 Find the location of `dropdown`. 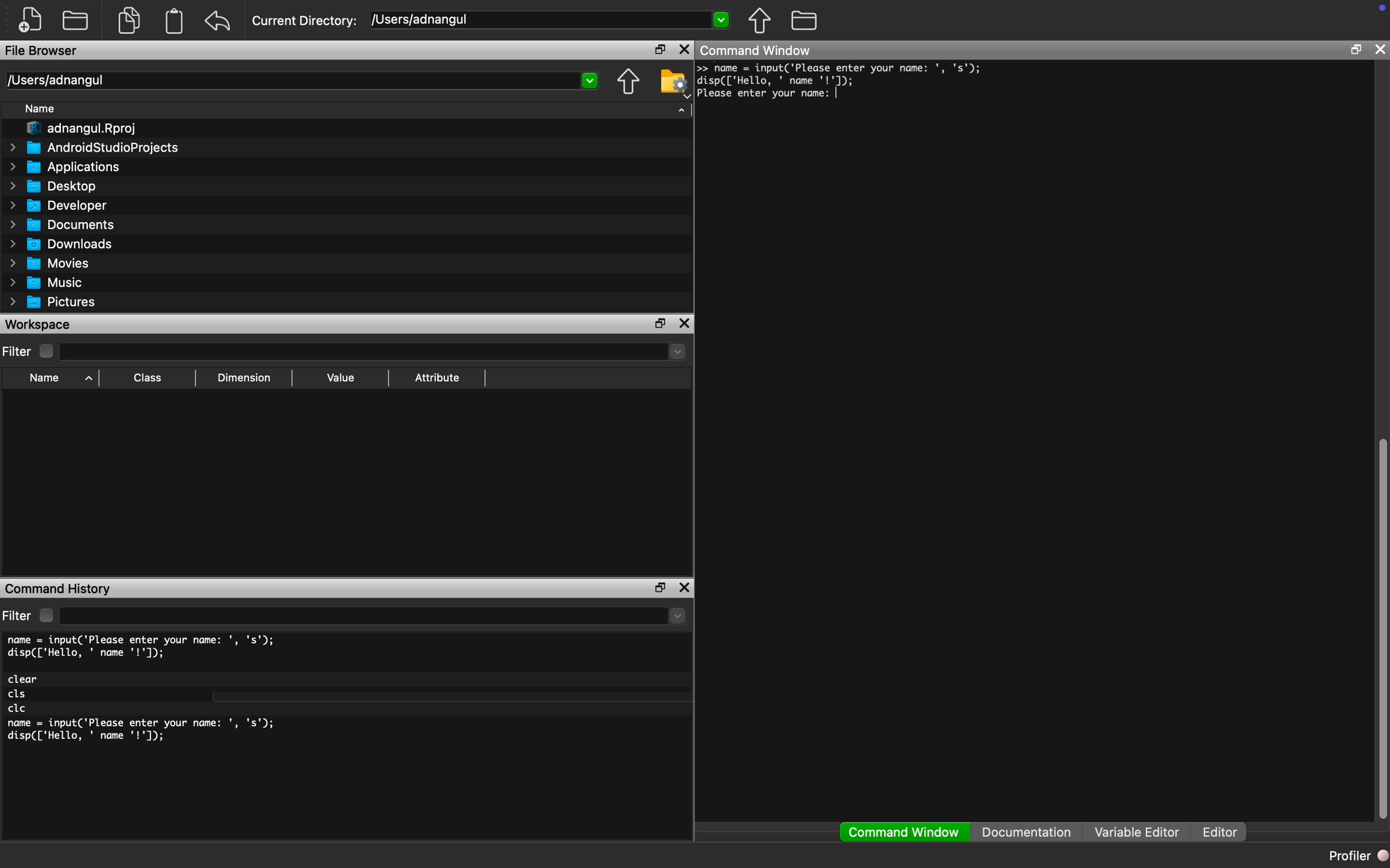

dropdown is located at coordinates (591, 81).